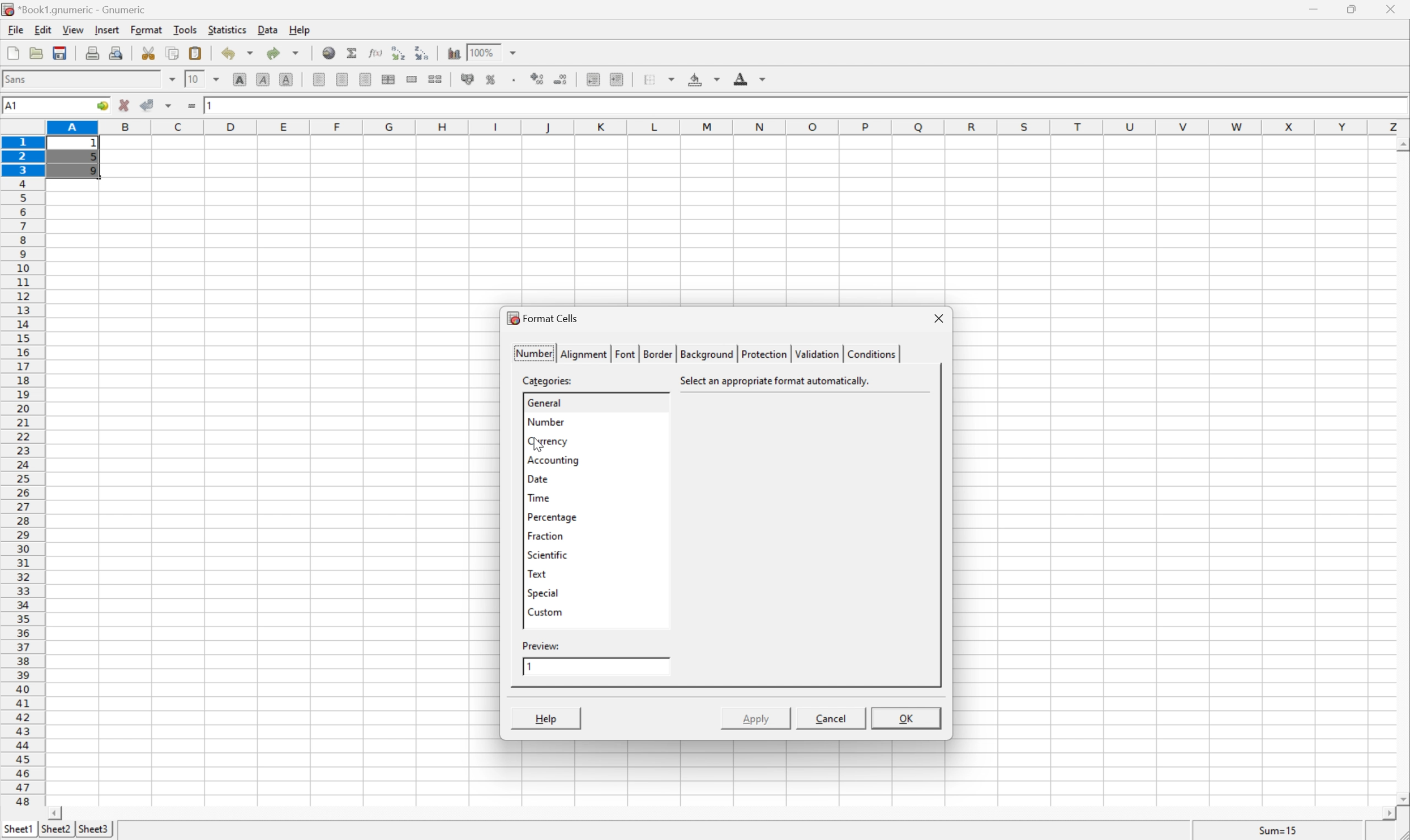 This screenshot has height=840, width=1410. I want to click on decrease number of decimals displayed, so click(559, 79).